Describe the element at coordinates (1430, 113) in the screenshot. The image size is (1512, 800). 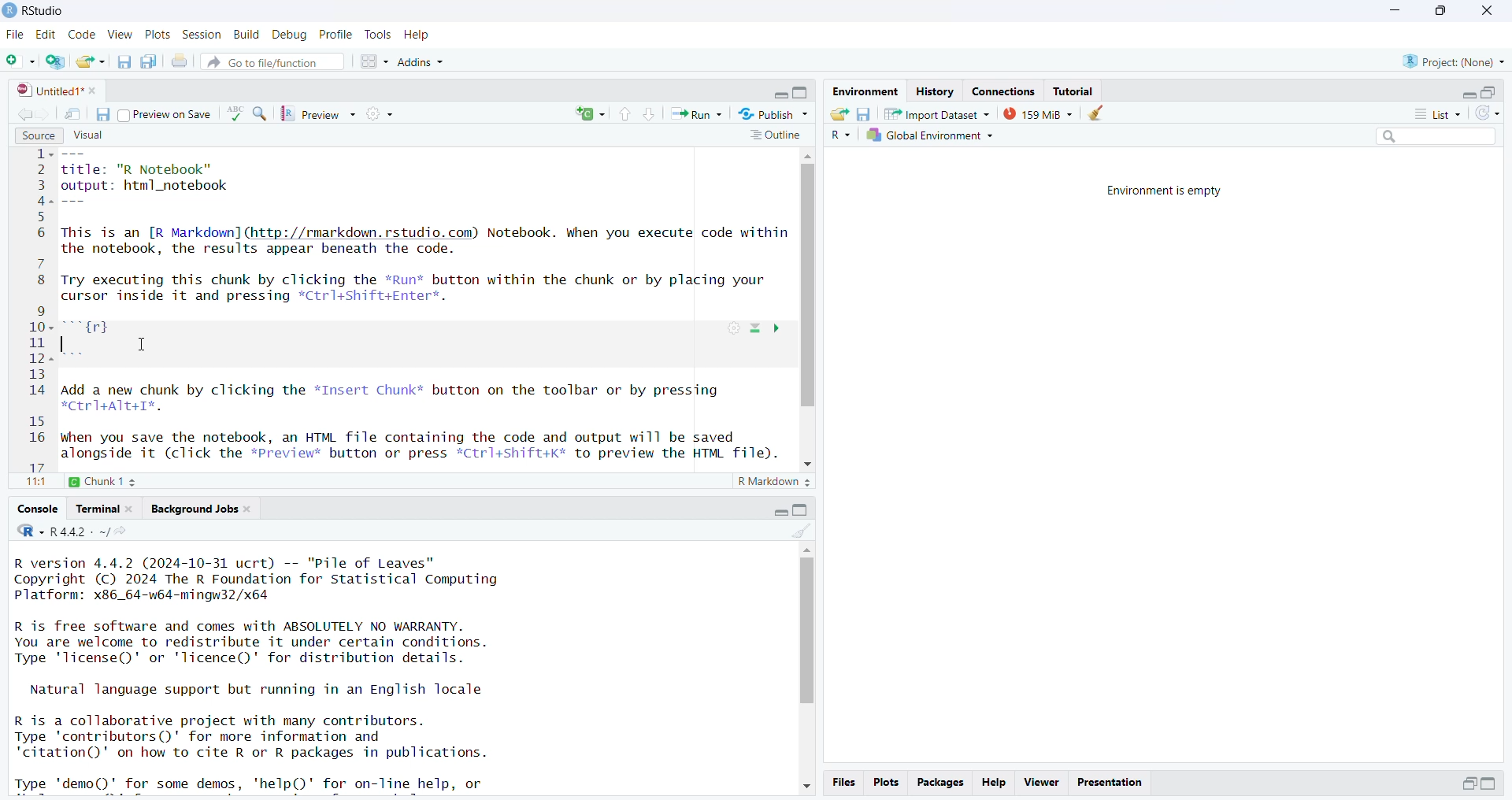
I see `list` at that location.